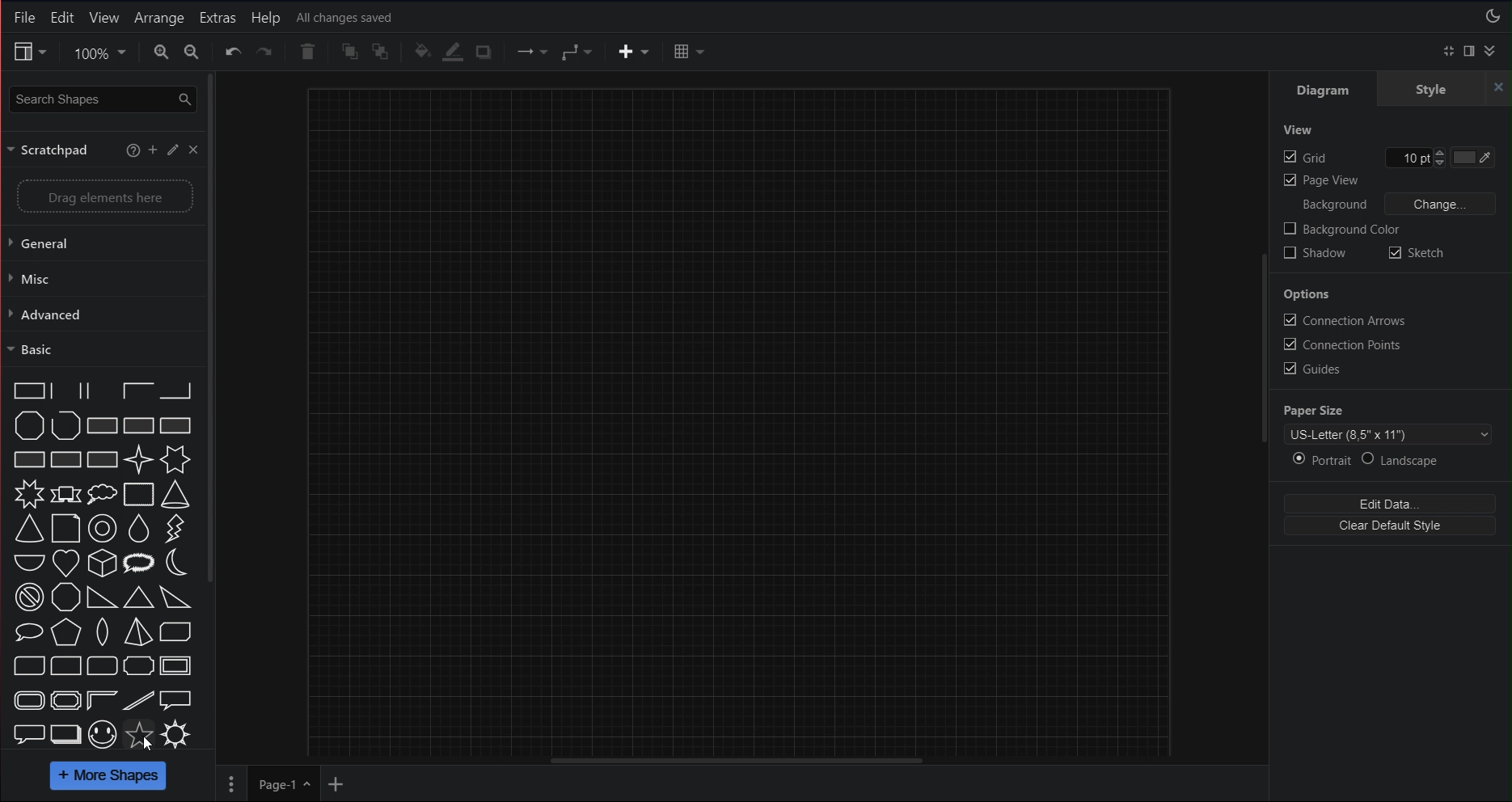  I want to click on Edit, so click(175, 150).